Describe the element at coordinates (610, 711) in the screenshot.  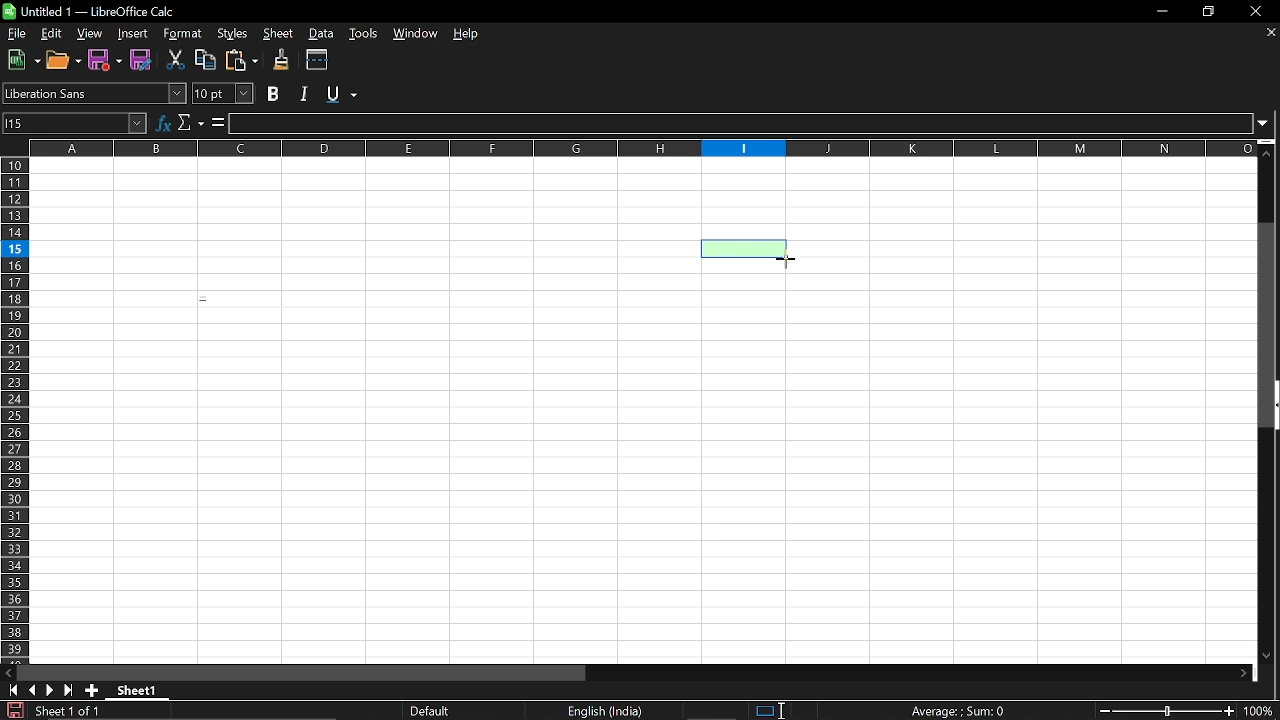
I see `Language` at that location.